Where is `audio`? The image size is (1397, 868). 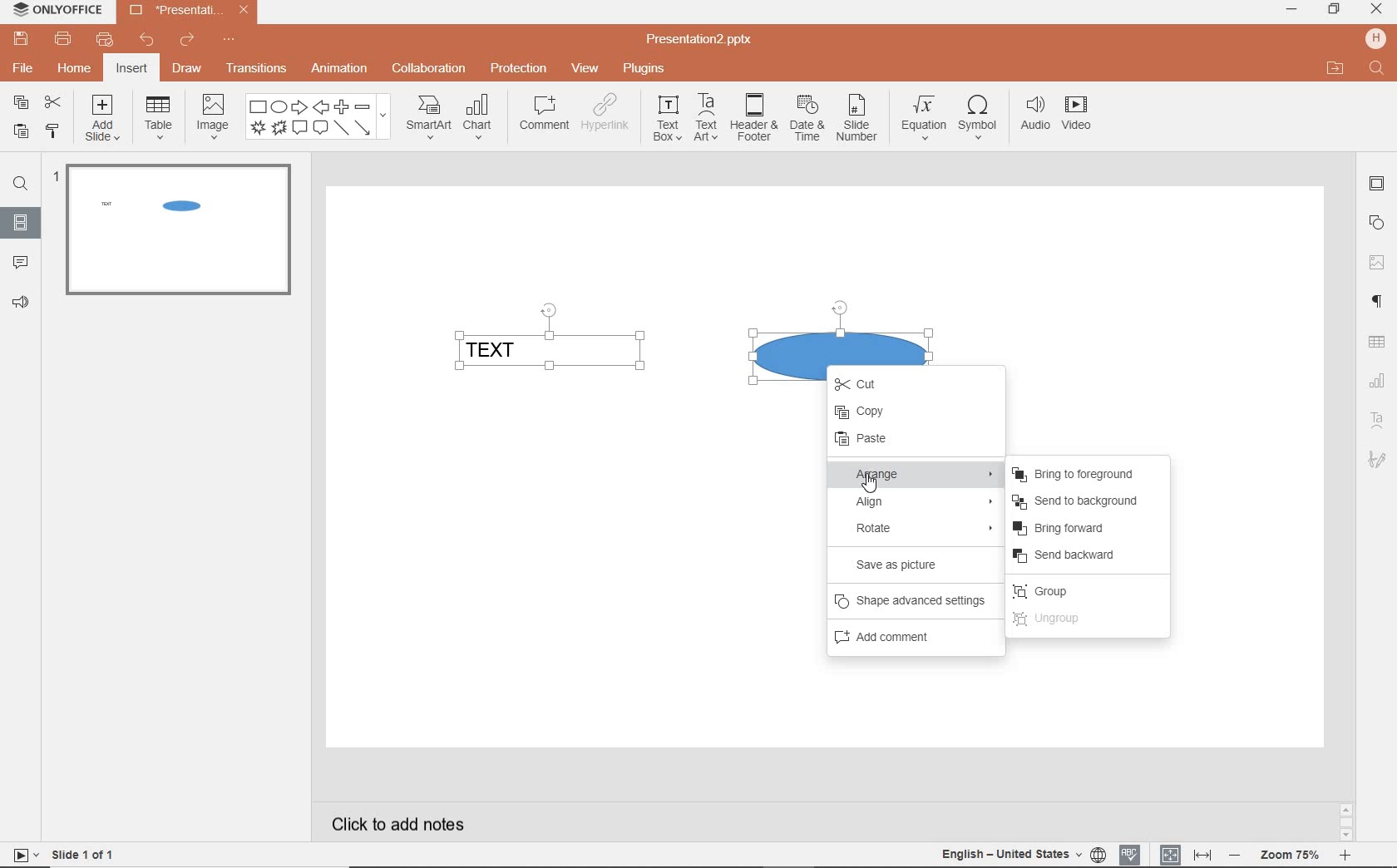 audio is located at coordinates (1032, 117).